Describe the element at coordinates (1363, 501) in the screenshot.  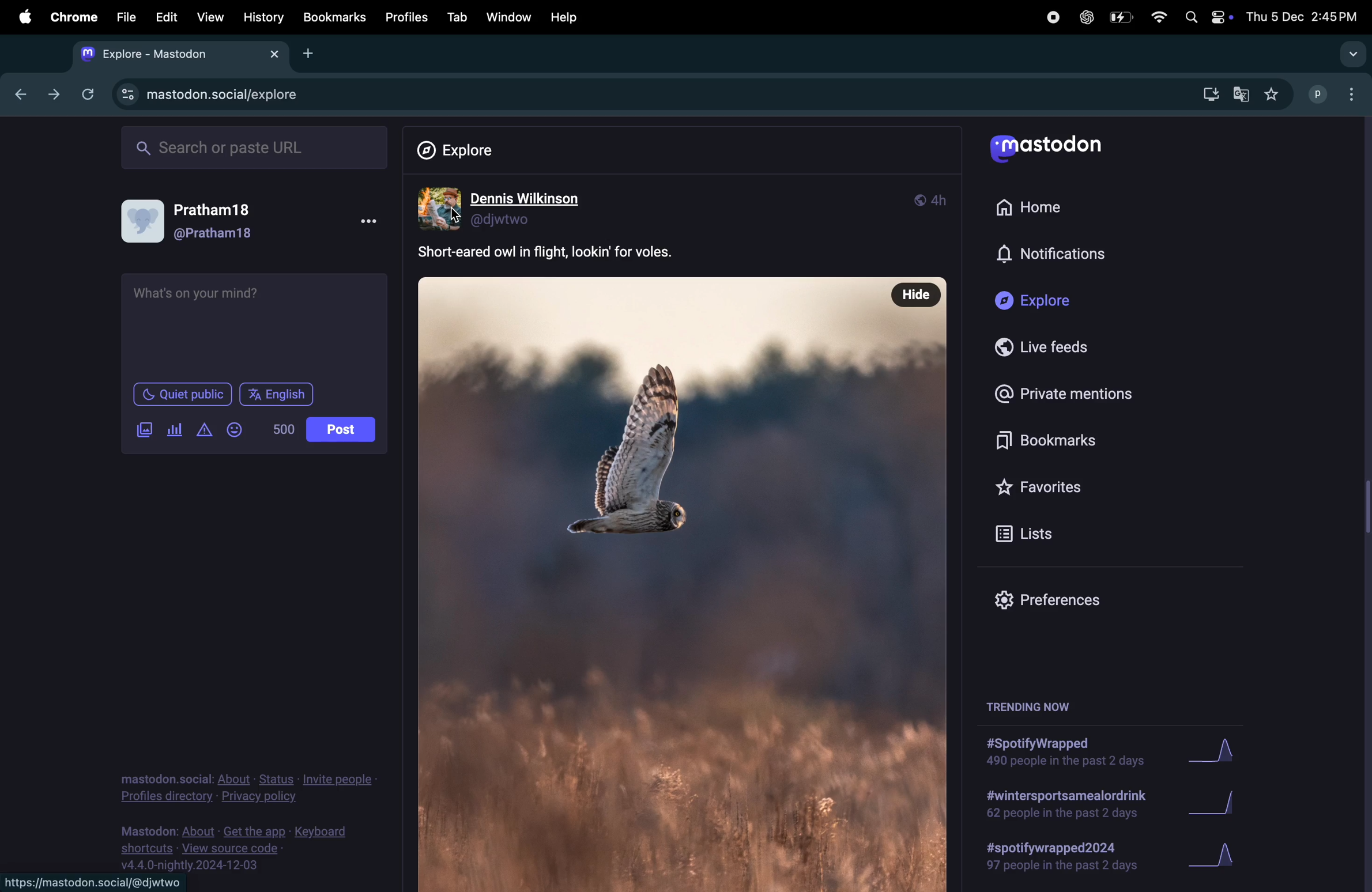
I see `scrollbar` at that location.